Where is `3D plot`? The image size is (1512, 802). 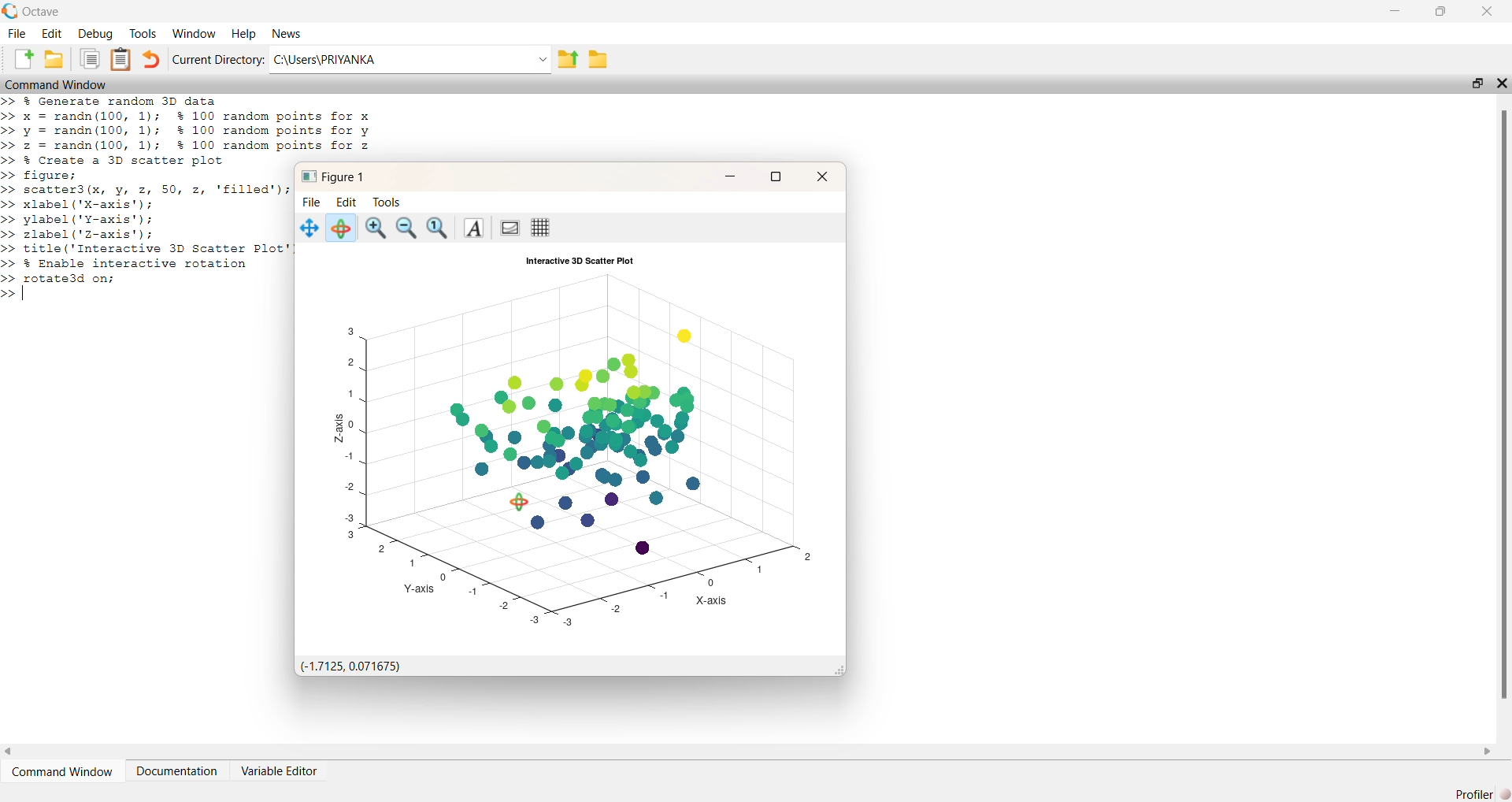 3D plot is located at coordinates (578, 450).